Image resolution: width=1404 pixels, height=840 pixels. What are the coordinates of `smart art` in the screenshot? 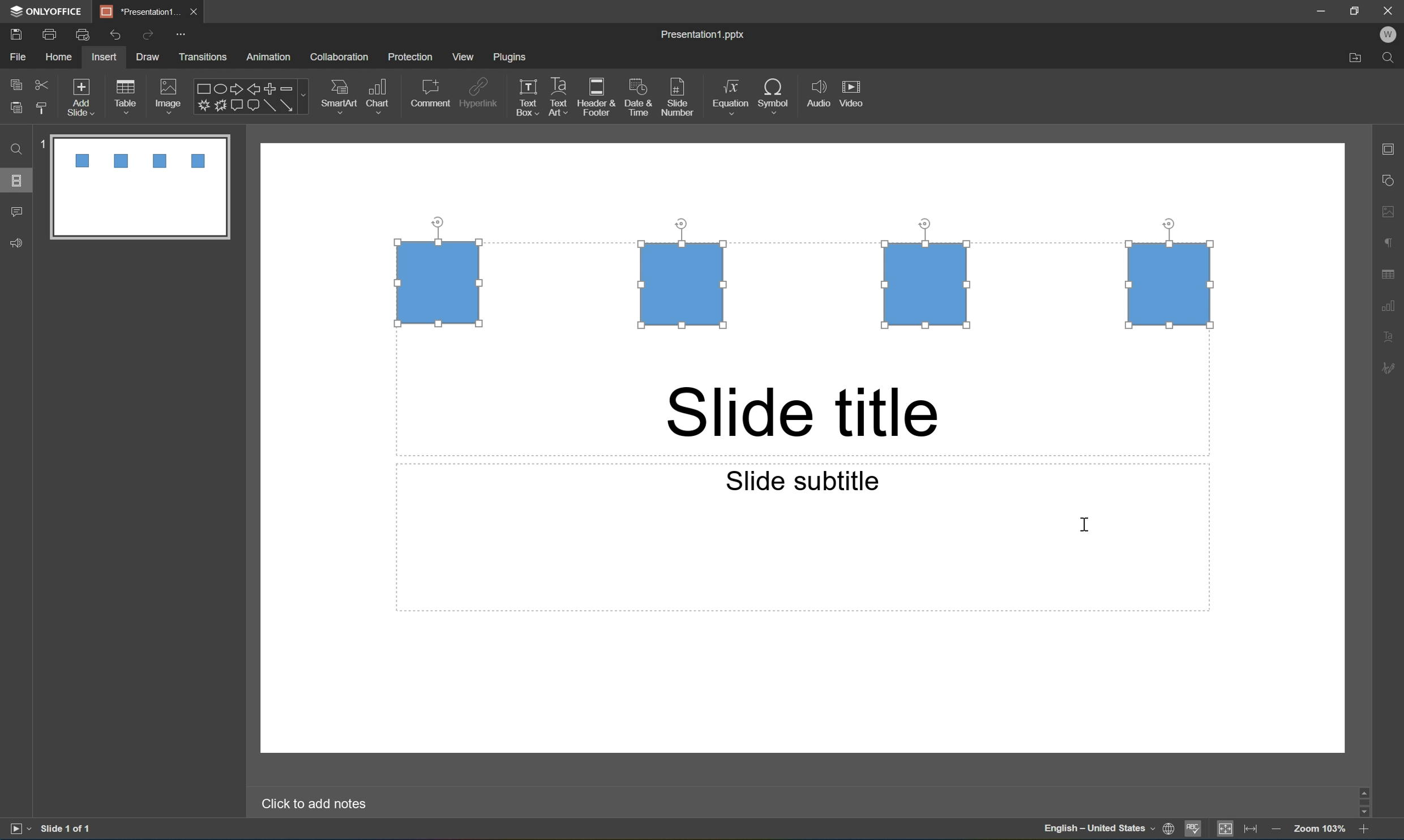 It's located at (335, 94).